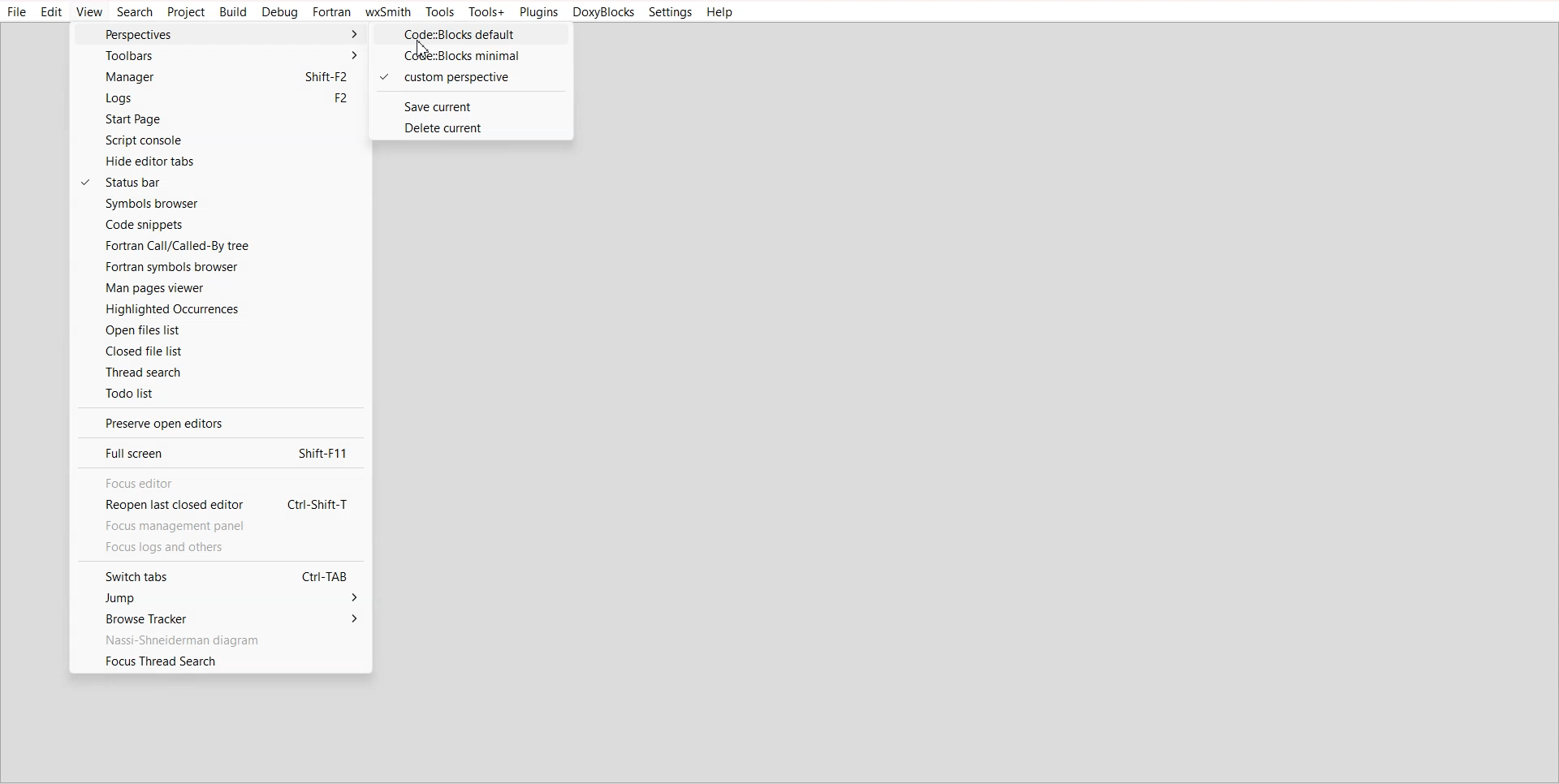 This screenshot has width=1559, height=784. Describe the element at coordinates (217, 140) in the screenshot. I see `Script console` at that location.